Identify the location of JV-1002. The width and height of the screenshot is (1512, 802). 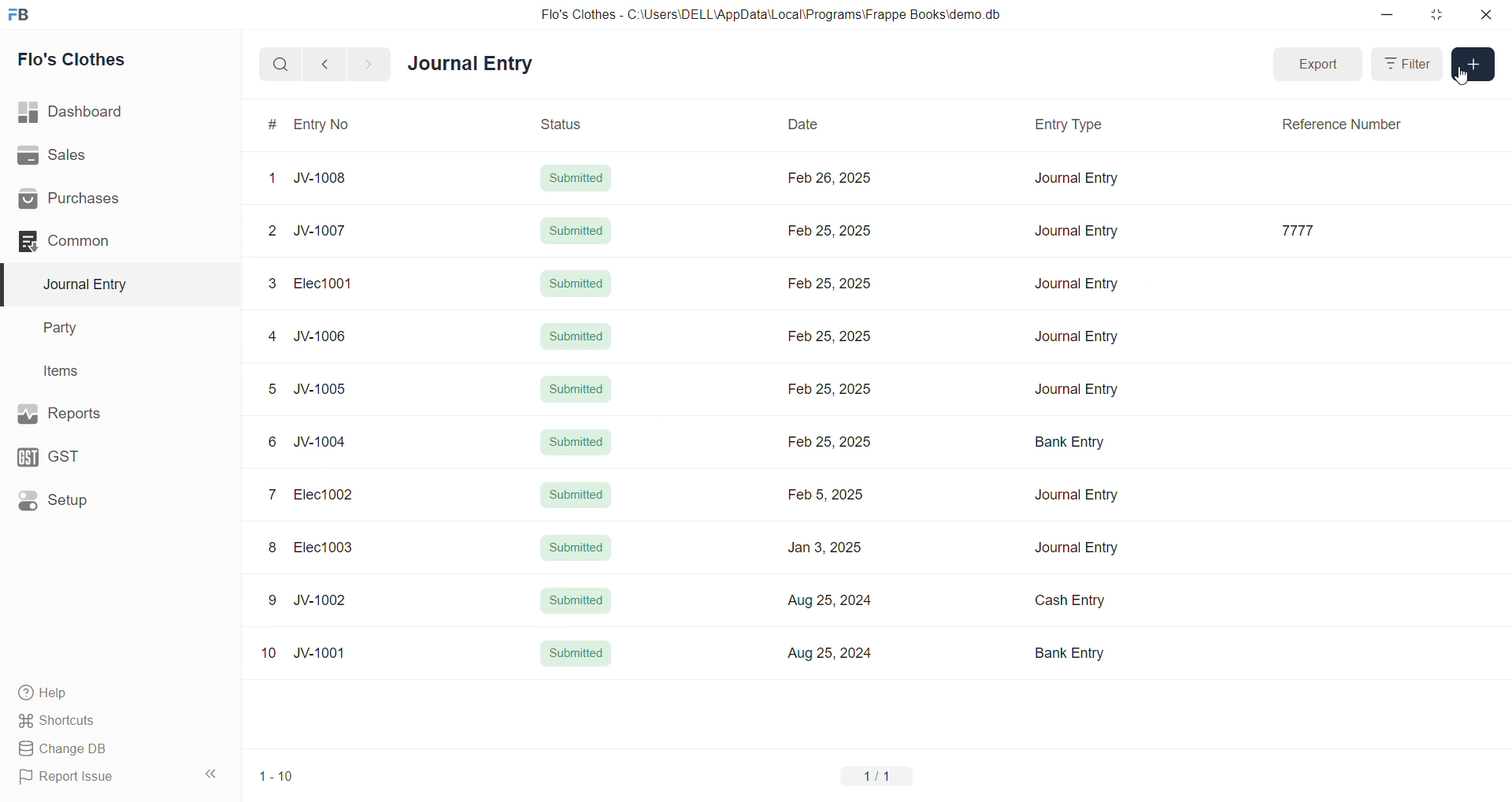
(323, 600).